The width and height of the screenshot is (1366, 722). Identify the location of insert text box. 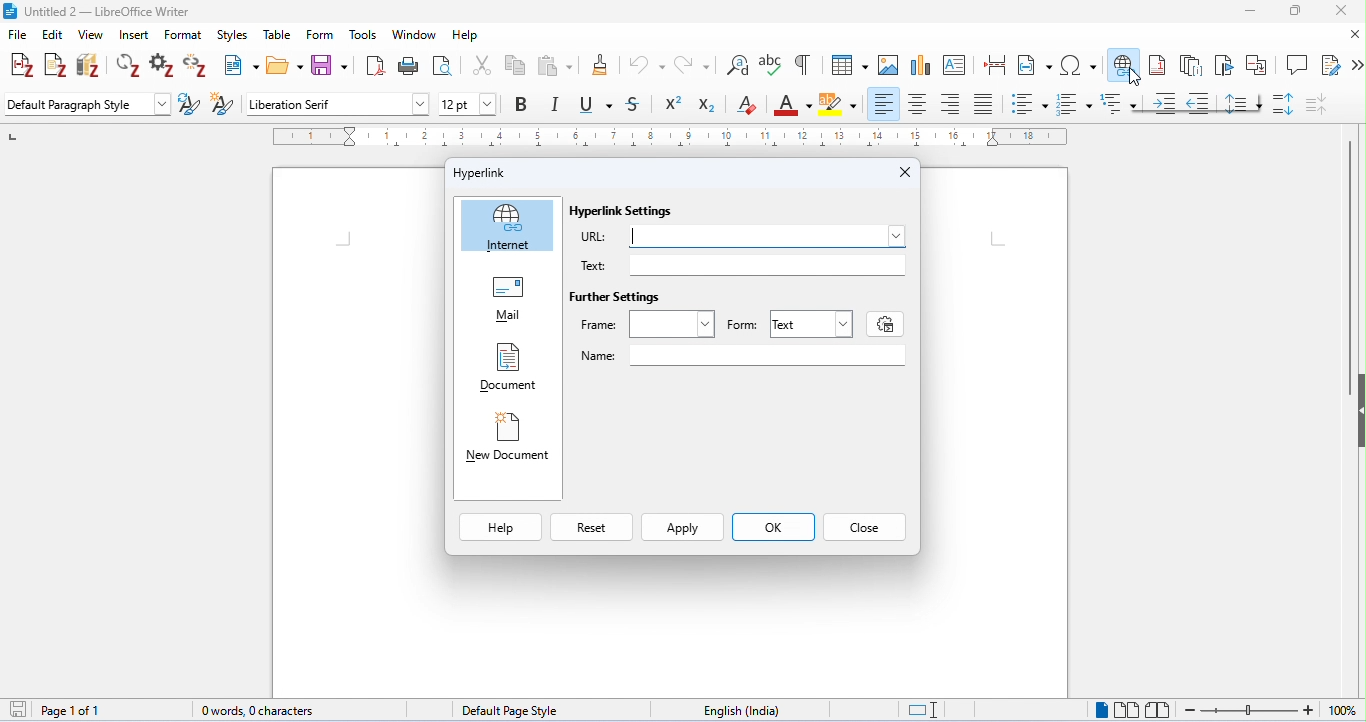
(959, 66).